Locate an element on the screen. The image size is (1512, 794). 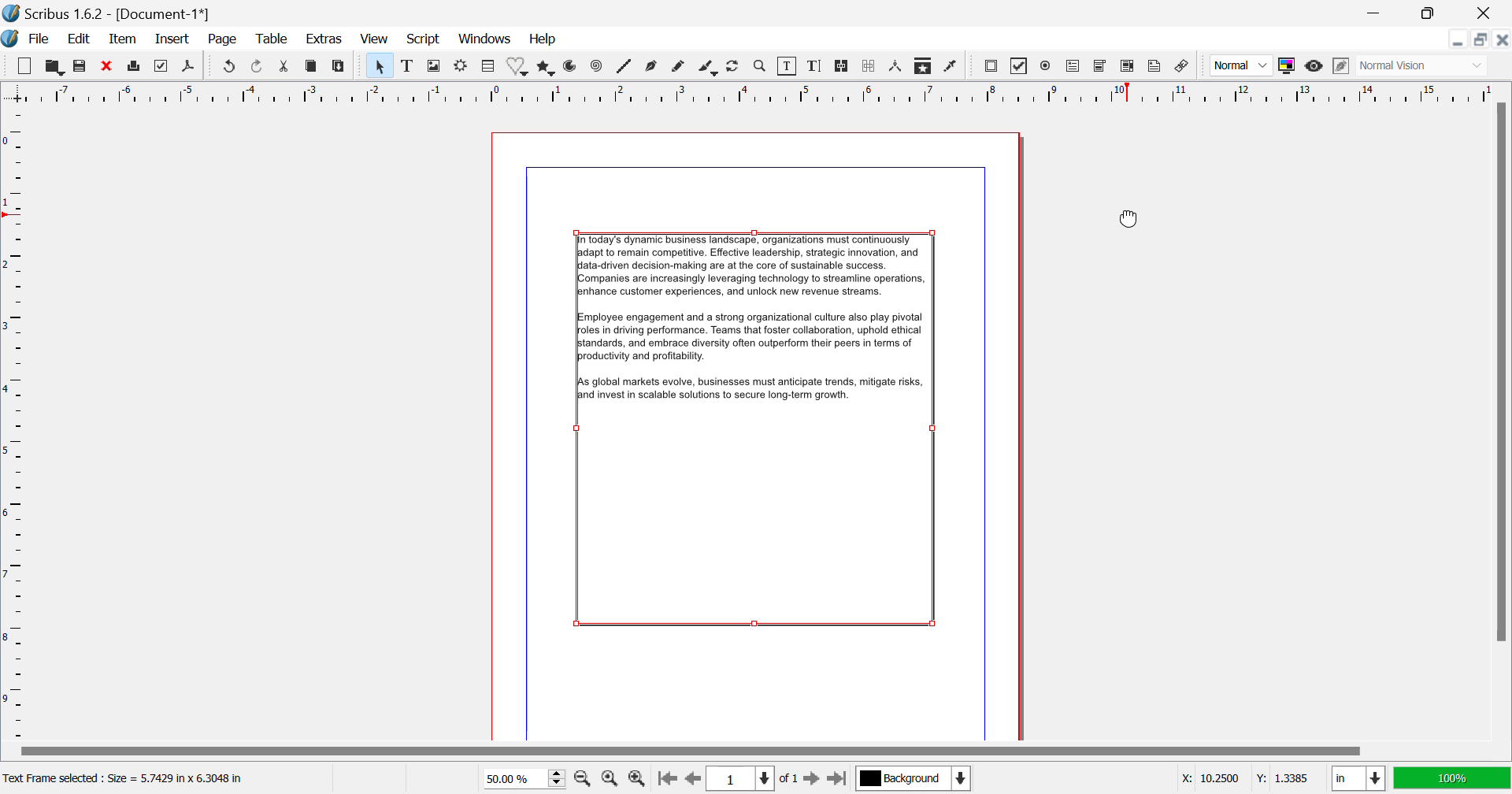
Extras is located at coordinates (327, 39).